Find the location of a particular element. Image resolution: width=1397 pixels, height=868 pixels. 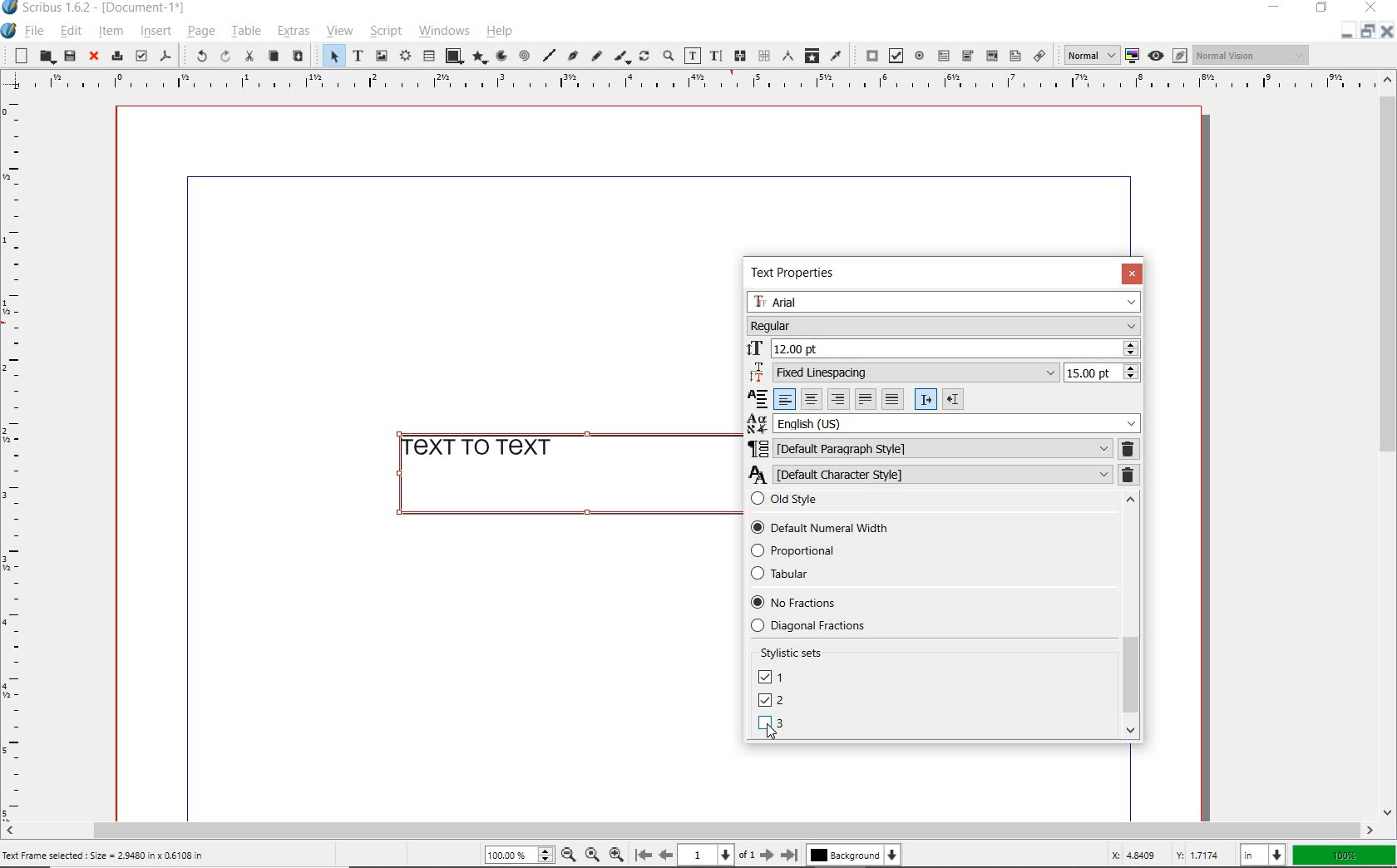

DEFAULT NUMBERS is located at coordinates (768, 699).